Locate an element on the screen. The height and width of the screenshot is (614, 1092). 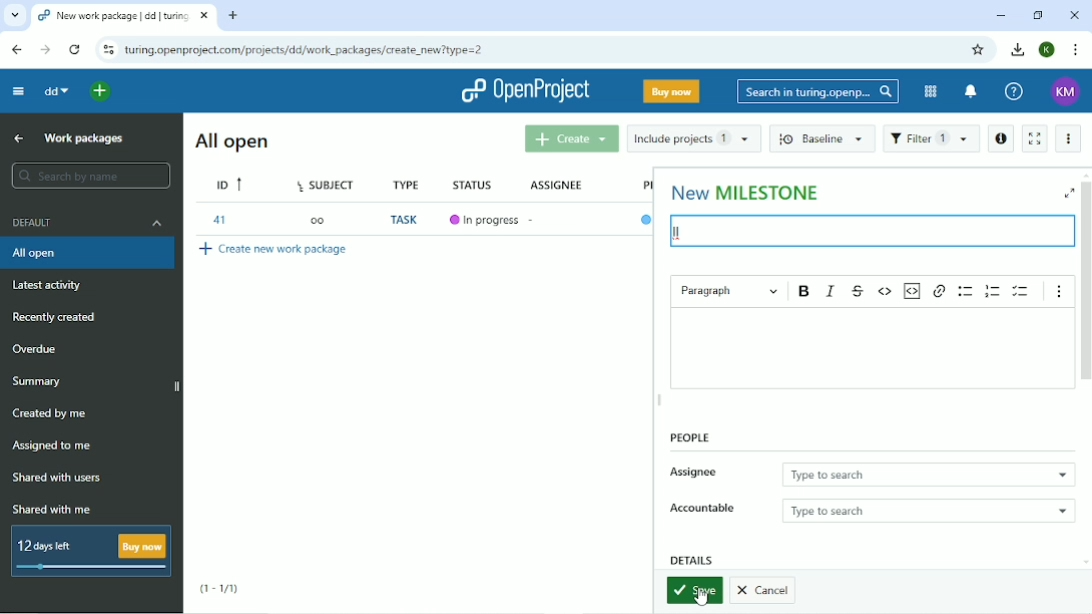
People is located at coordinates (689, 438).